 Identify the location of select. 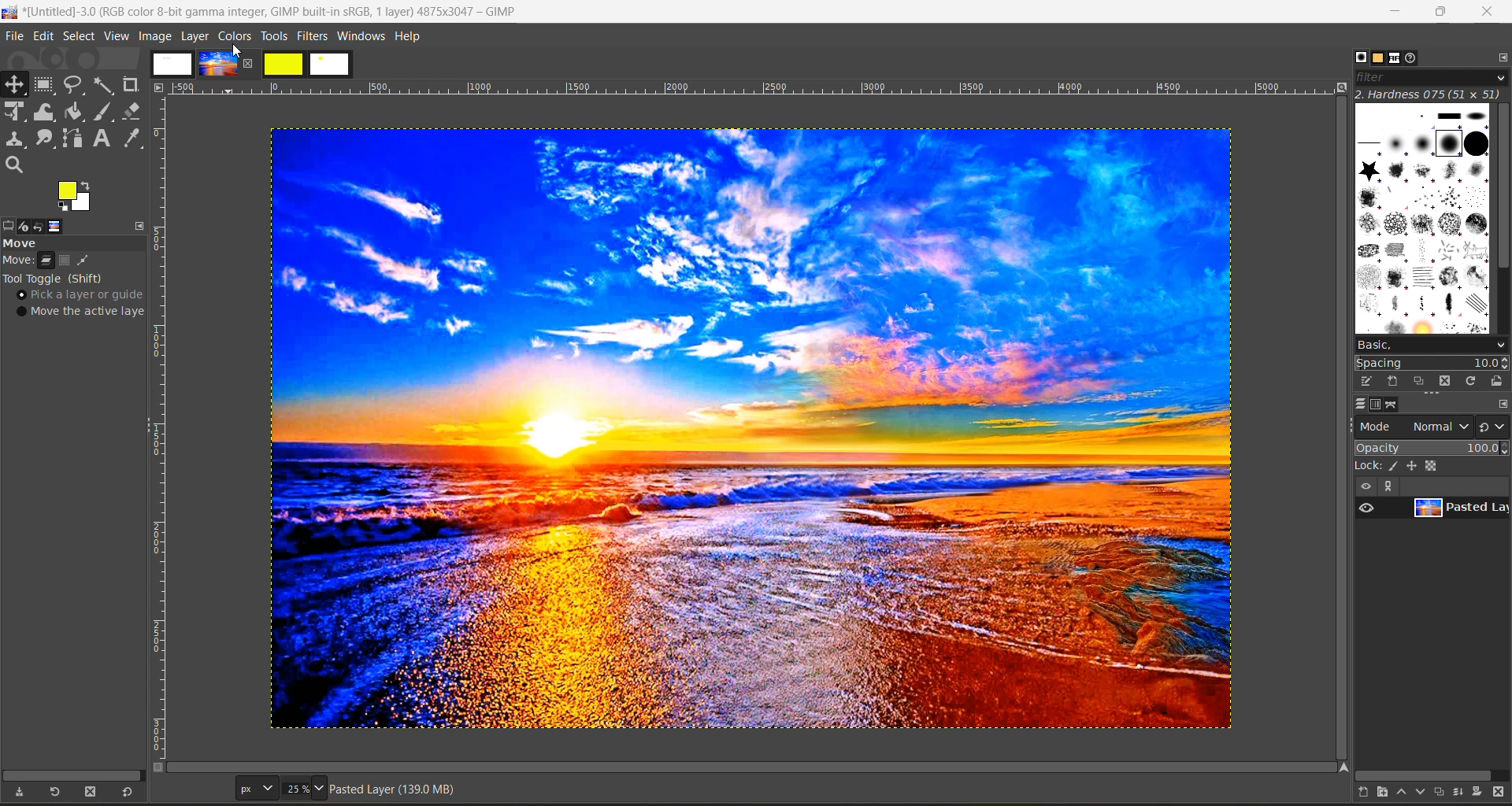
(81, 37).